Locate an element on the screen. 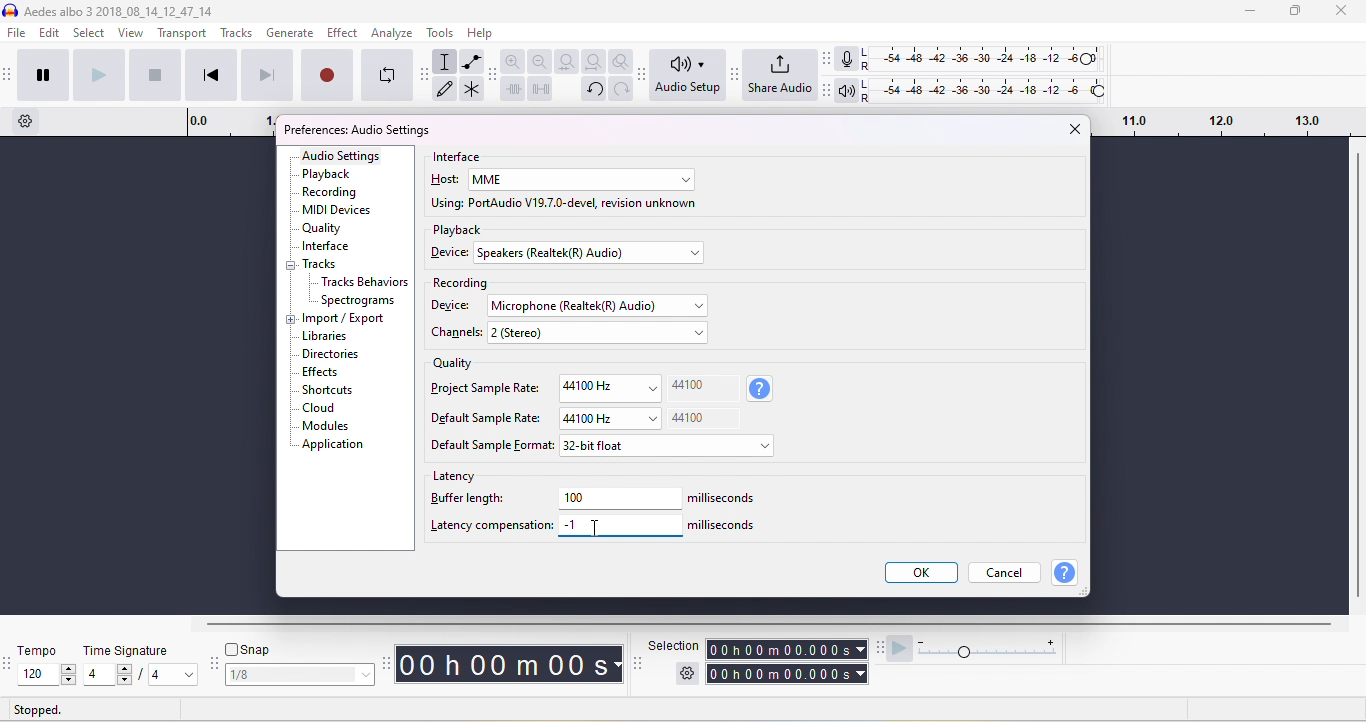 This screenshot has width=1366, height=722. multi tool is located at coordinates (472, 92).